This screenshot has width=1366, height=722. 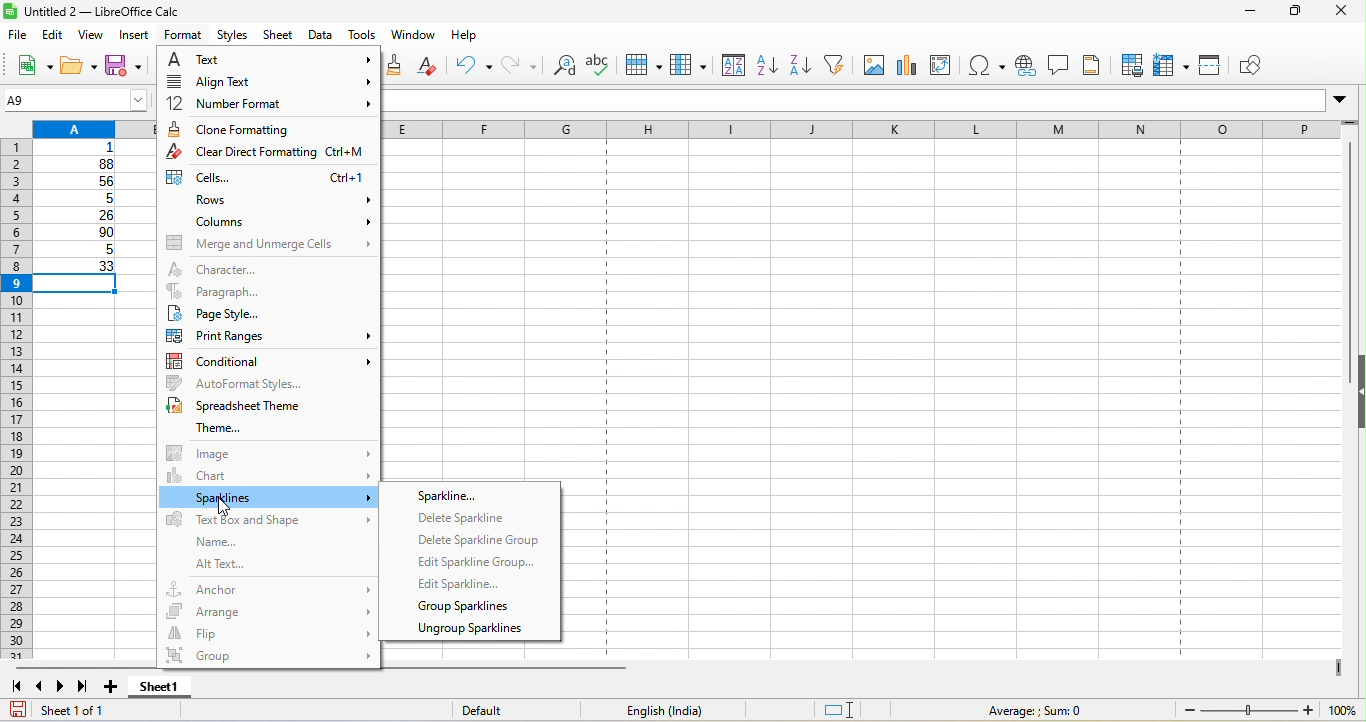 I want to click on sparklines, so click(x=269, y=498).